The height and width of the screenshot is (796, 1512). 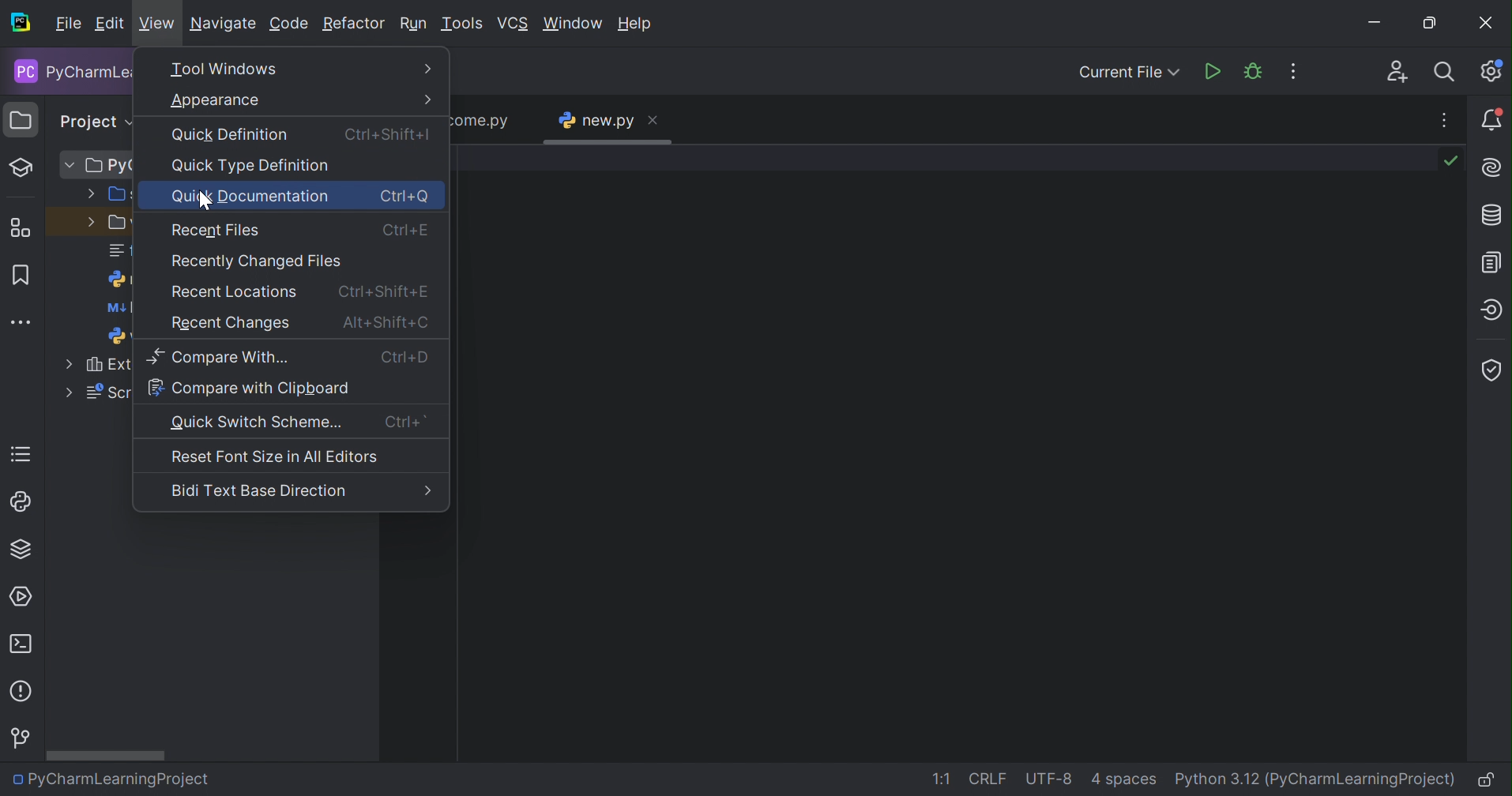 What do you see at coordinates (408, 197) in the screenshot?
I see `Ctrl+Q` at bounding box center [408, 197].